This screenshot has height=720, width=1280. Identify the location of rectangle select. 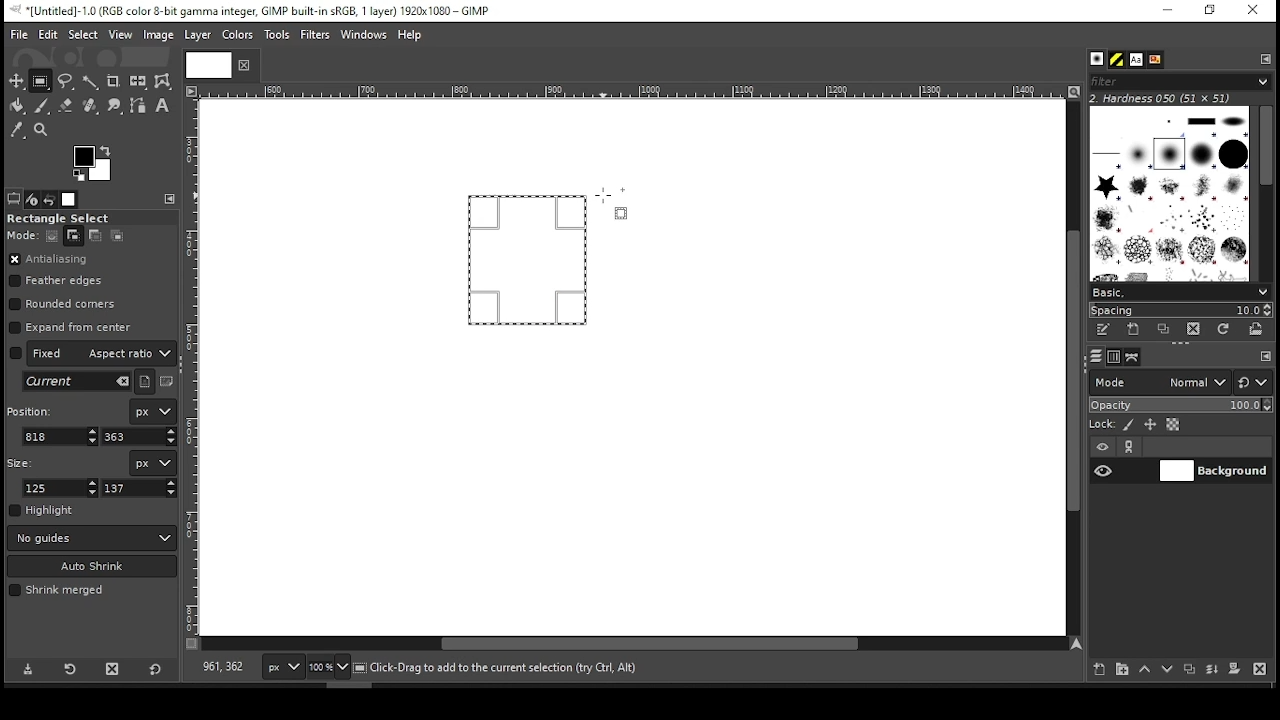
(75, 218).